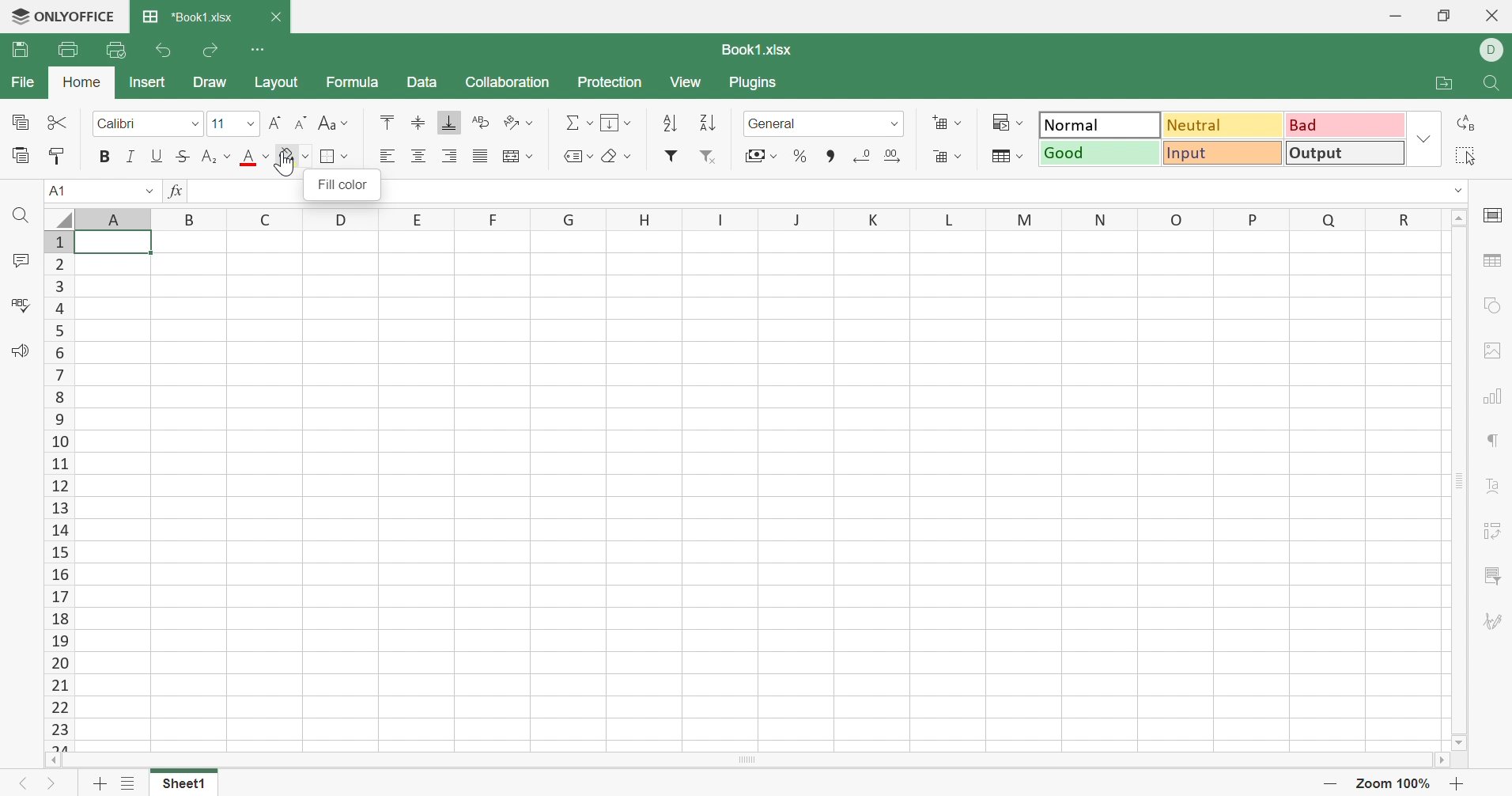 The height and width of the screenshot is (796, 1512). I want to click on Conditional formatting, so click(1006, 122).